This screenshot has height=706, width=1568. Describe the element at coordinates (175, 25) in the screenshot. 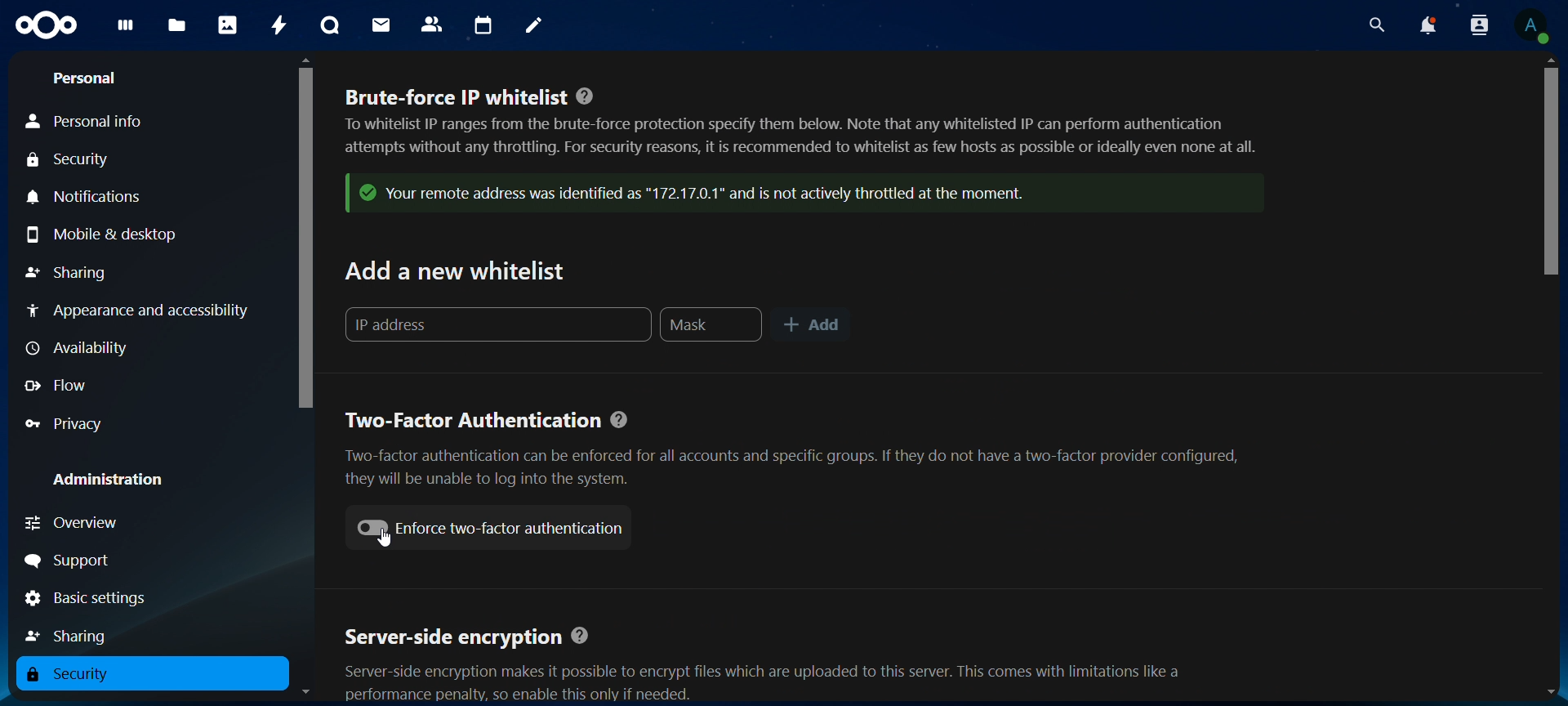

I see `files` at that location.